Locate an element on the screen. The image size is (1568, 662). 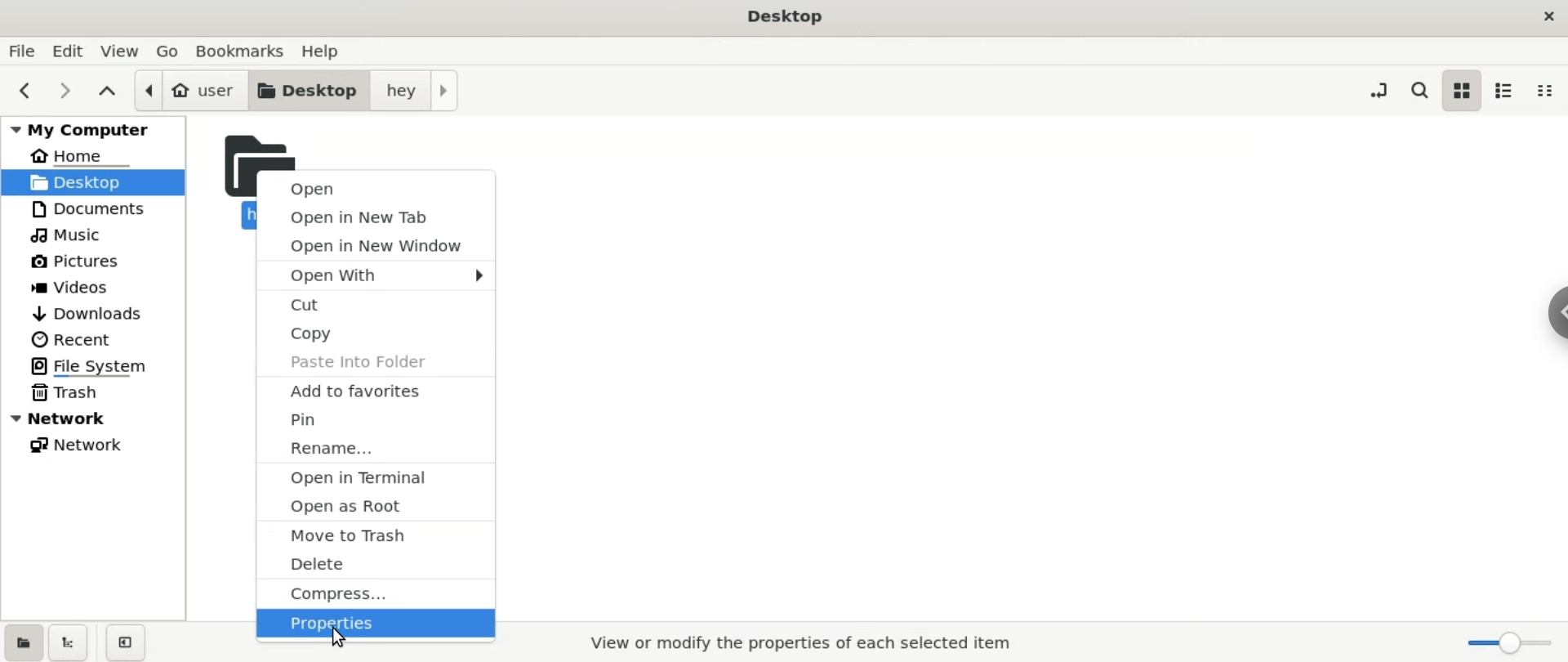
move to trash is located at coordinates (376, 533).